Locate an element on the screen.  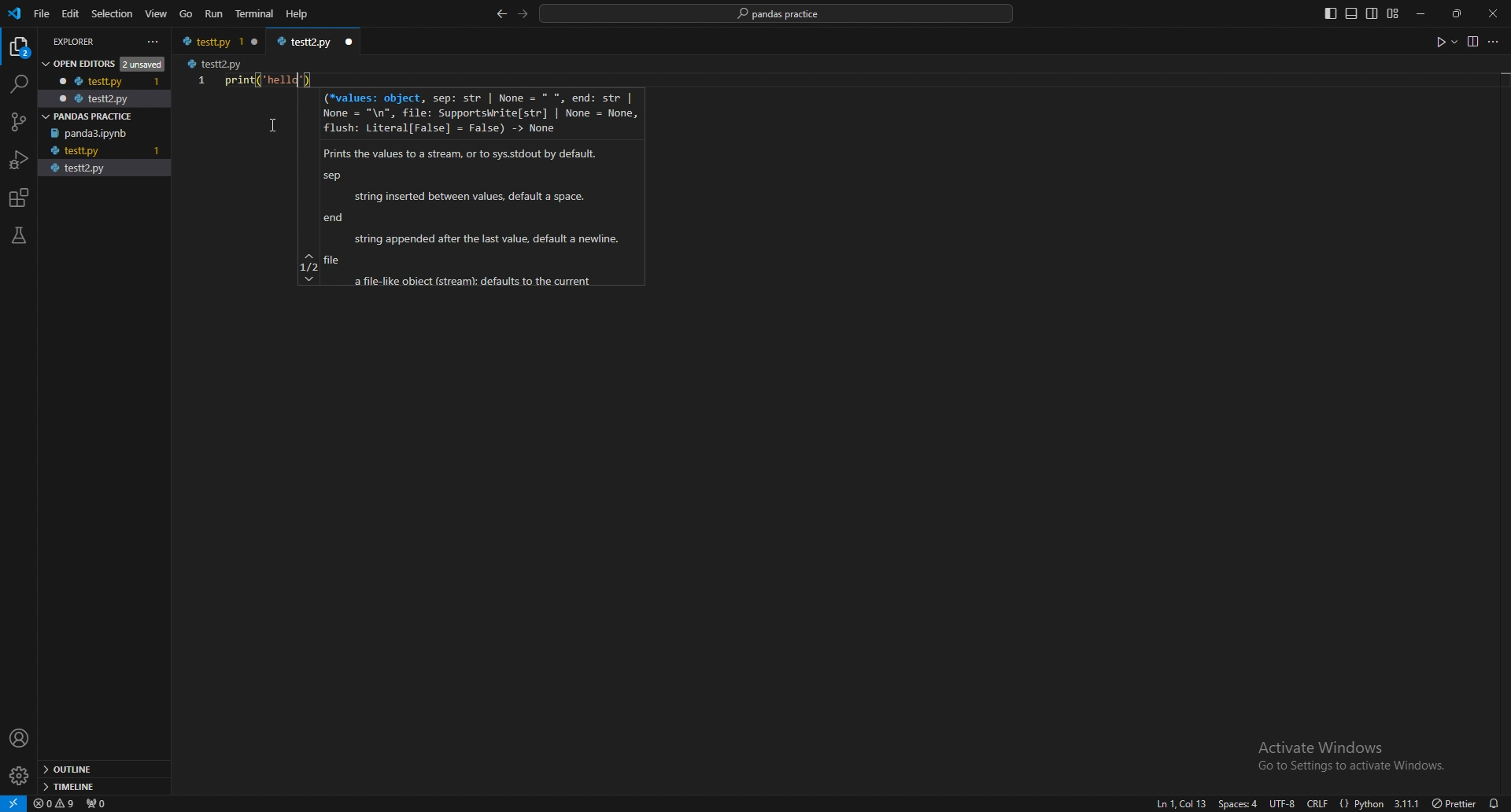
settings is located at coordinates (20, 776).